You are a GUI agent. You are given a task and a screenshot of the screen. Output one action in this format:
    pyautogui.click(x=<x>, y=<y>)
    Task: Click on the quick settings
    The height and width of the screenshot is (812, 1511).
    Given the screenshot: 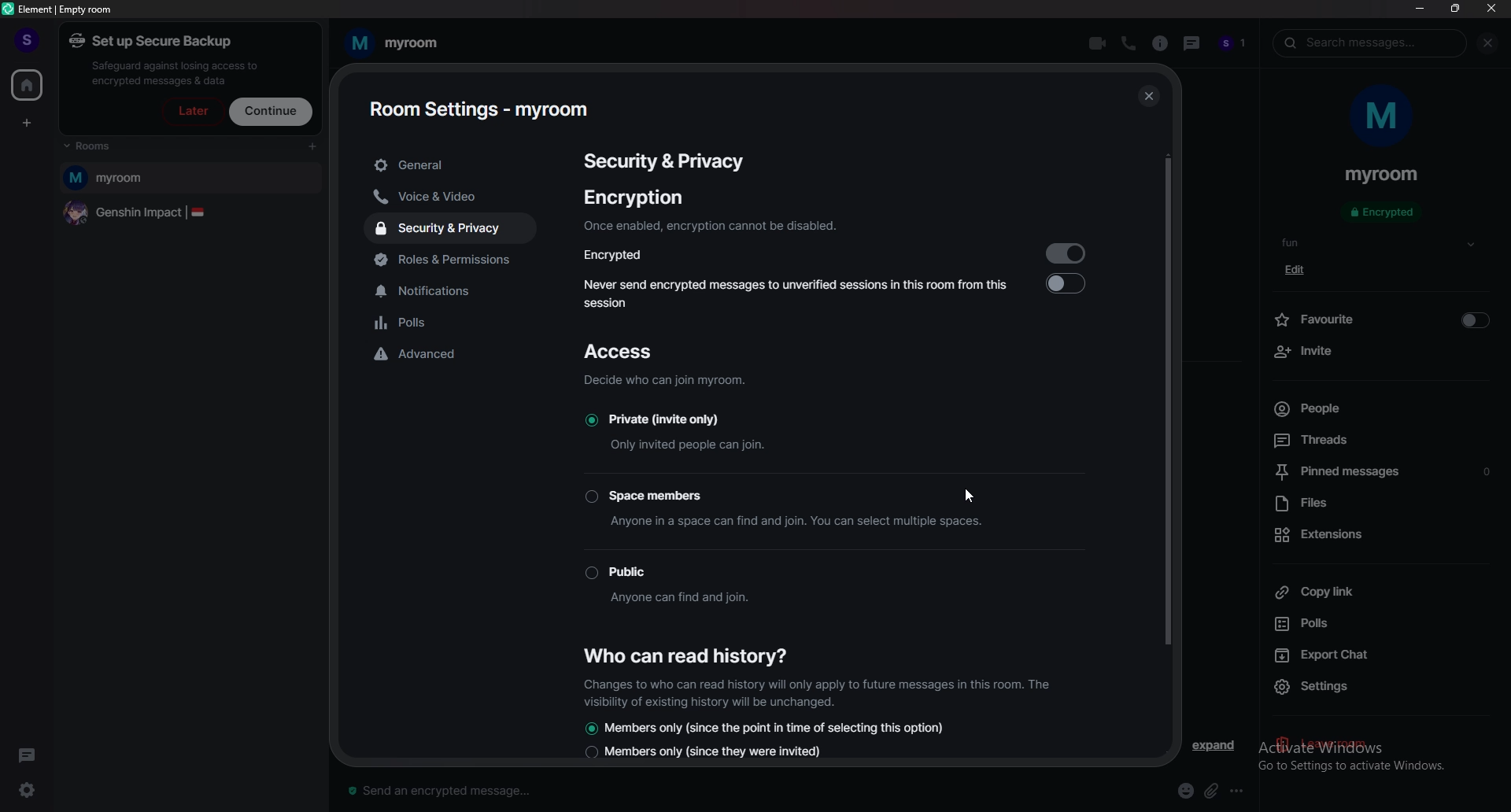 What is the action you would take?
    pyautogui.click(x=28, y=790)
    